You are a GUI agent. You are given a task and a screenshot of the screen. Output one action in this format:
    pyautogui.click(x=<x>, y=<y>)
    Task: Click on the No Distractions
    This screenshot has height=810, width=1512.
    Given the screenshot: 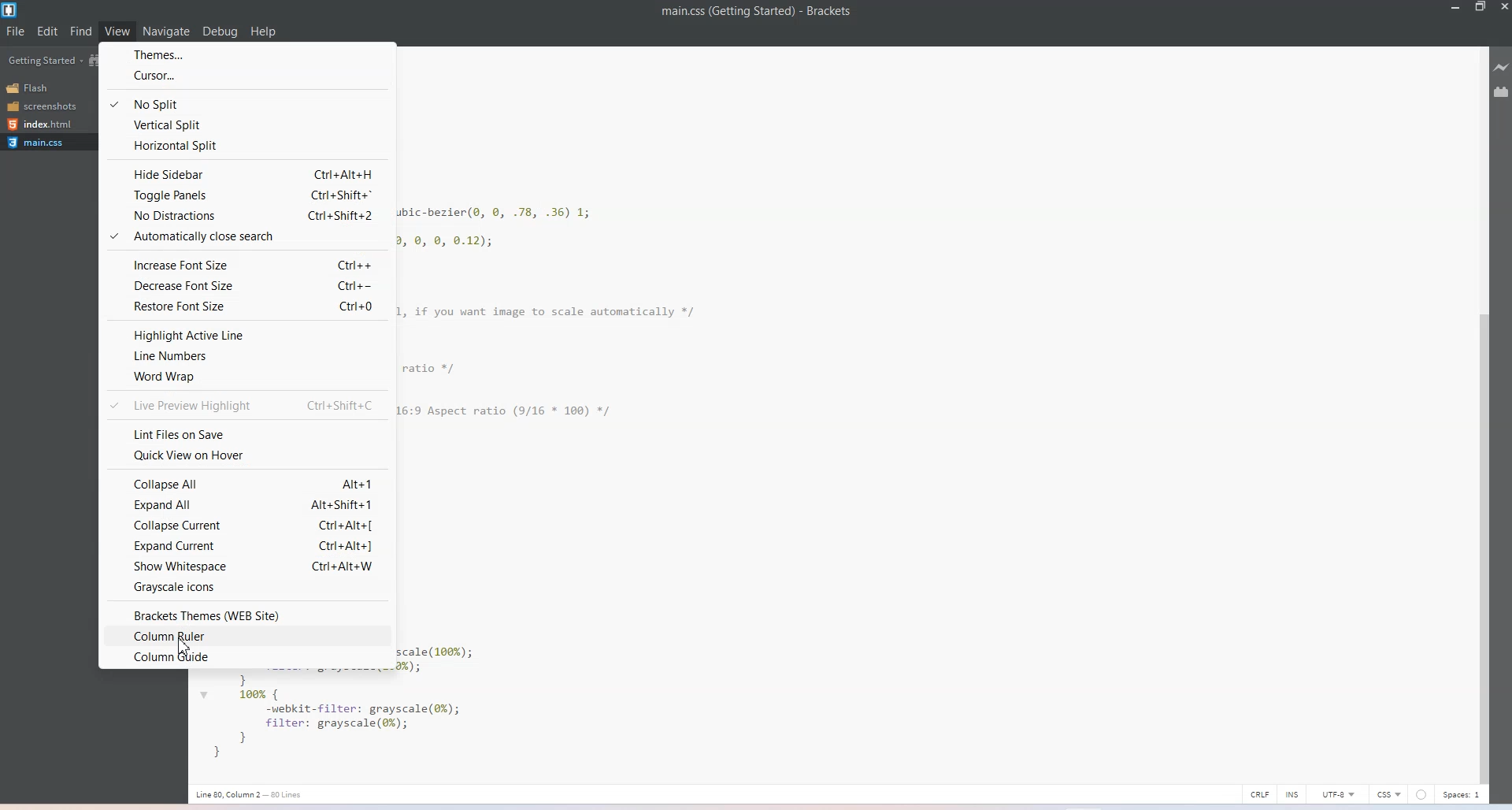 What is the action you would take?
    pyautogui.click(x=247, y=216)
    